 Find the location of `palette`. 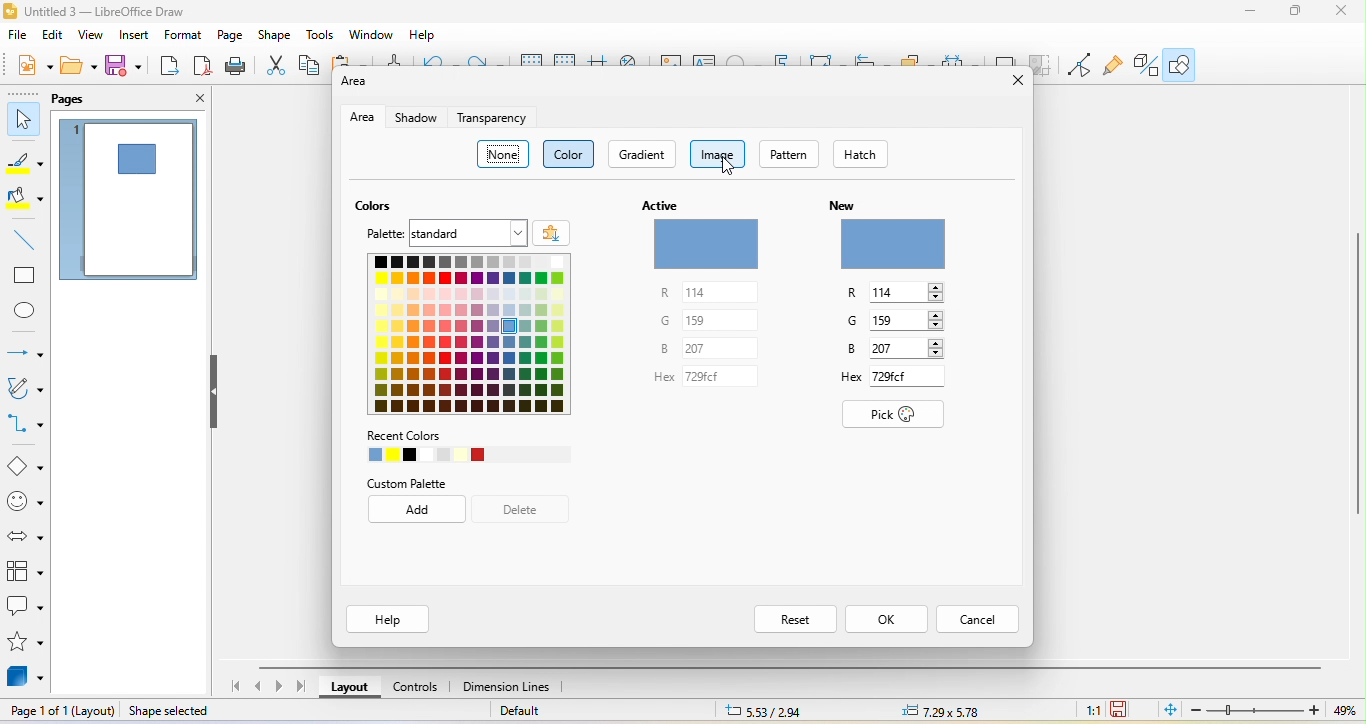

palette is located at coordinates (379, 233).